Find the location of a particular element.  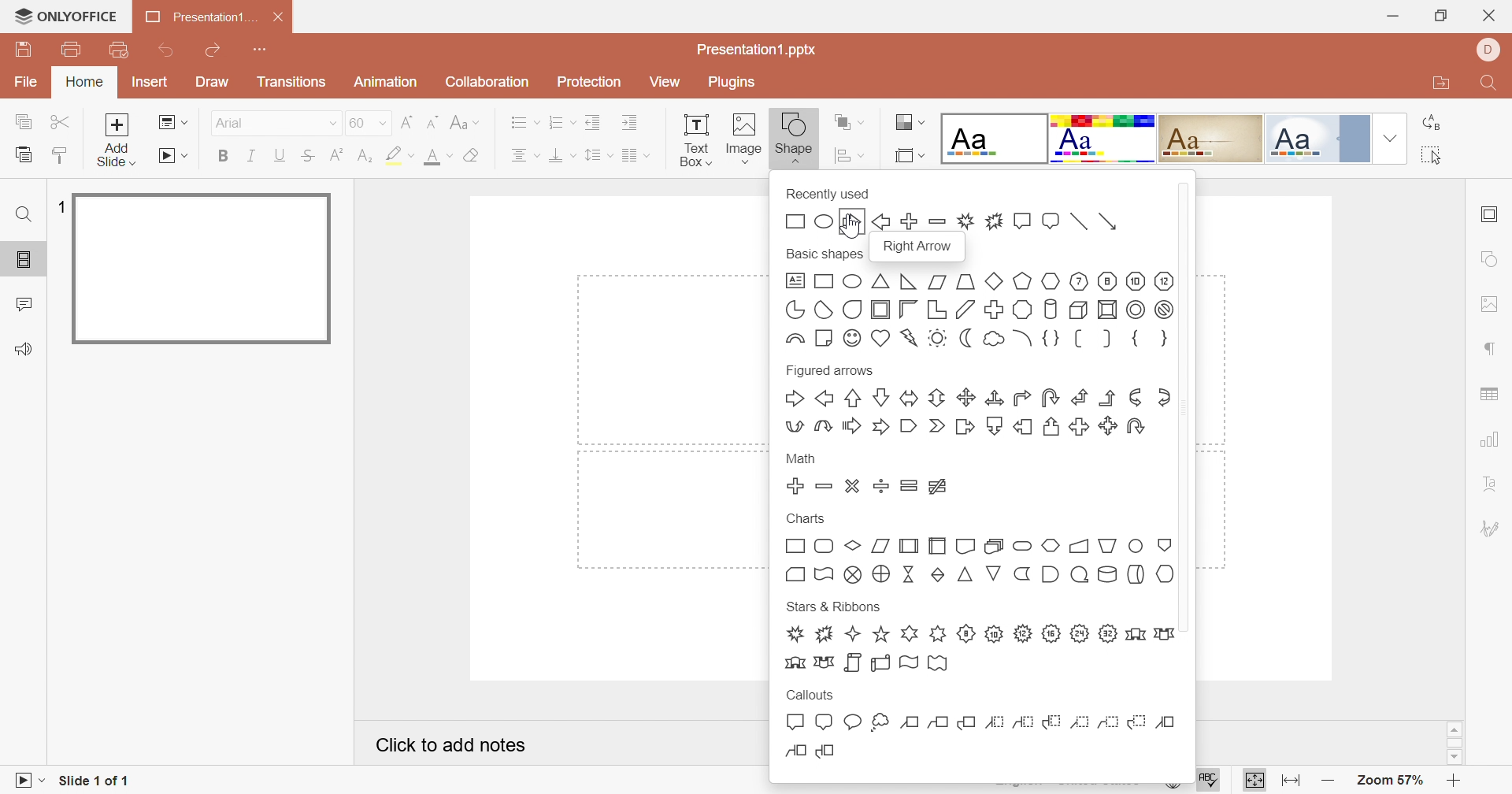

Scroll up is located at coordinates (1455, 729).